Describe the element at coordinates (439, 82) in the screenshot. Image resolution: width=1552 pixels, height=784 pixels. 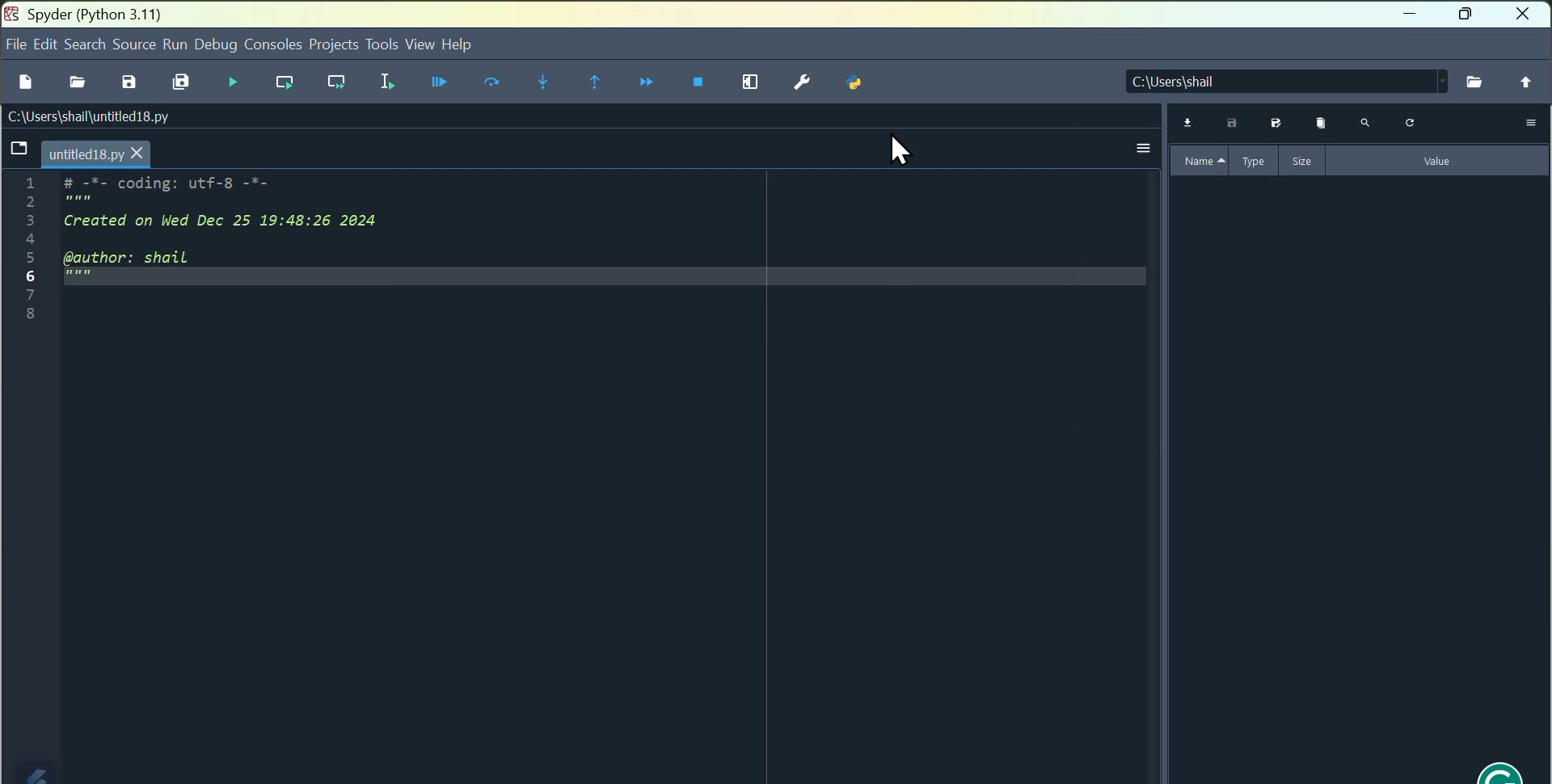
I see `Debug file` at that location.